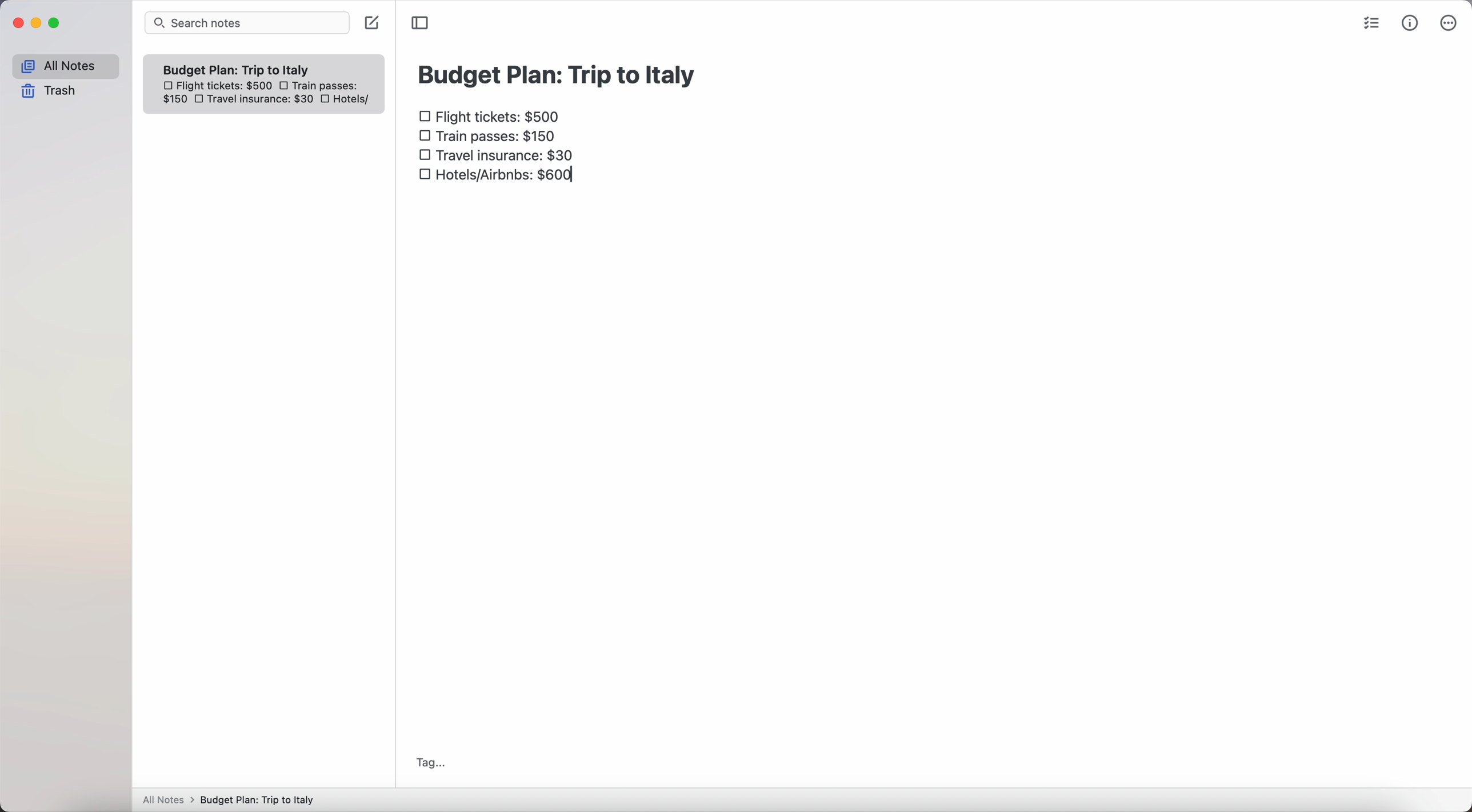 The height and width of the screenshot is (812, 1472). I want to click on flight tickets: $500, so click(217, 87).